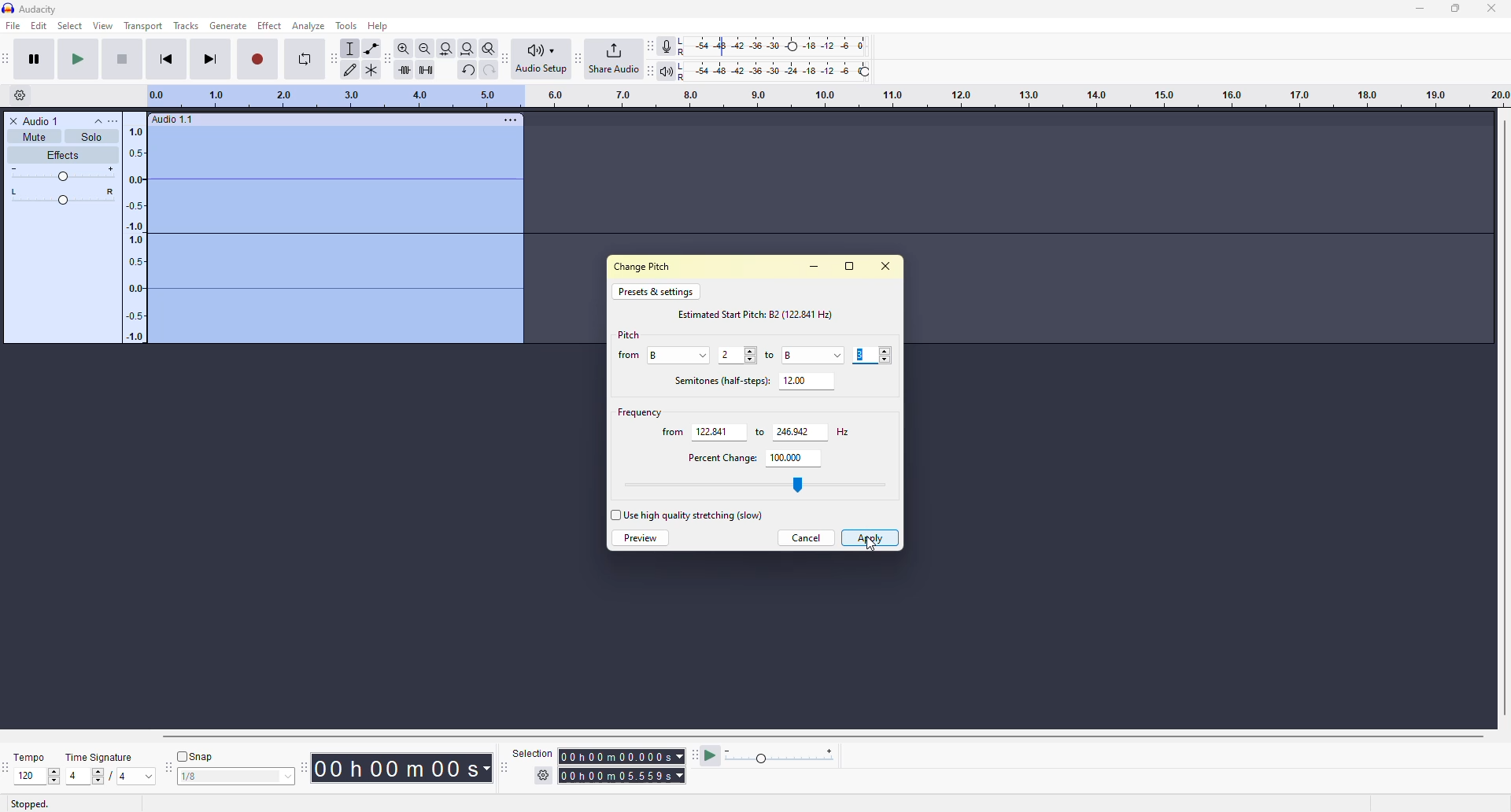  Describe the element at coordinates (820, 96) in the screenshot. I see `click and drag to define looping region` at that location.